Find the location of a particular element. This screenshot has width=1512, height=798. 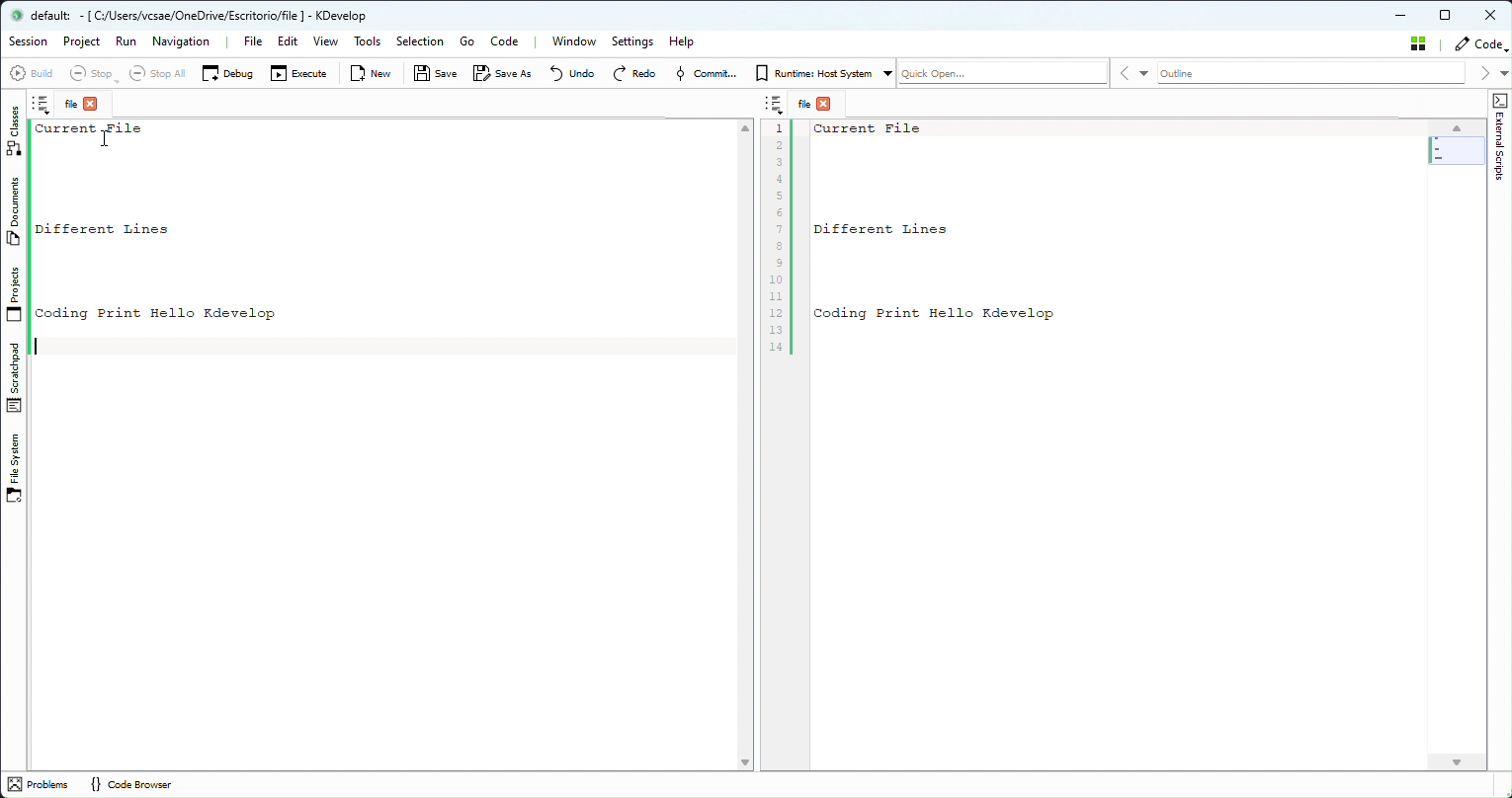

Save as is located at coordinates (502, 74).